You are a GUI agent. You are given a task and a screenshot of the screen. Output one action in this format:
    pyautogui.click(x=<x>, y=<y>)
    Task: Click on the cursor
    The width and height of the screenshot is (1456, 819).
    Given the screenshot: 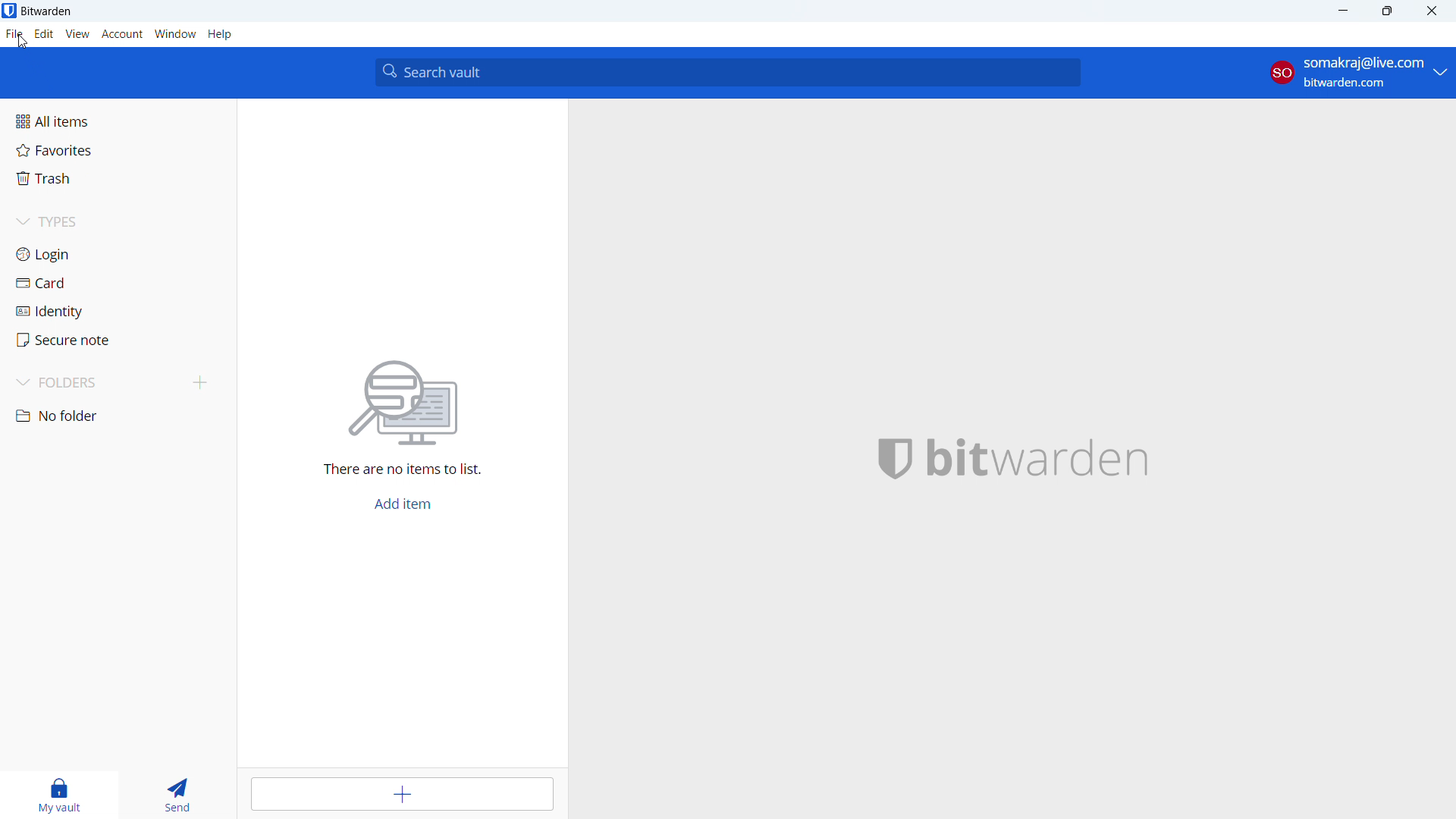 What is the action you would take?
    pyautogui.click(x=20, y=40)
    